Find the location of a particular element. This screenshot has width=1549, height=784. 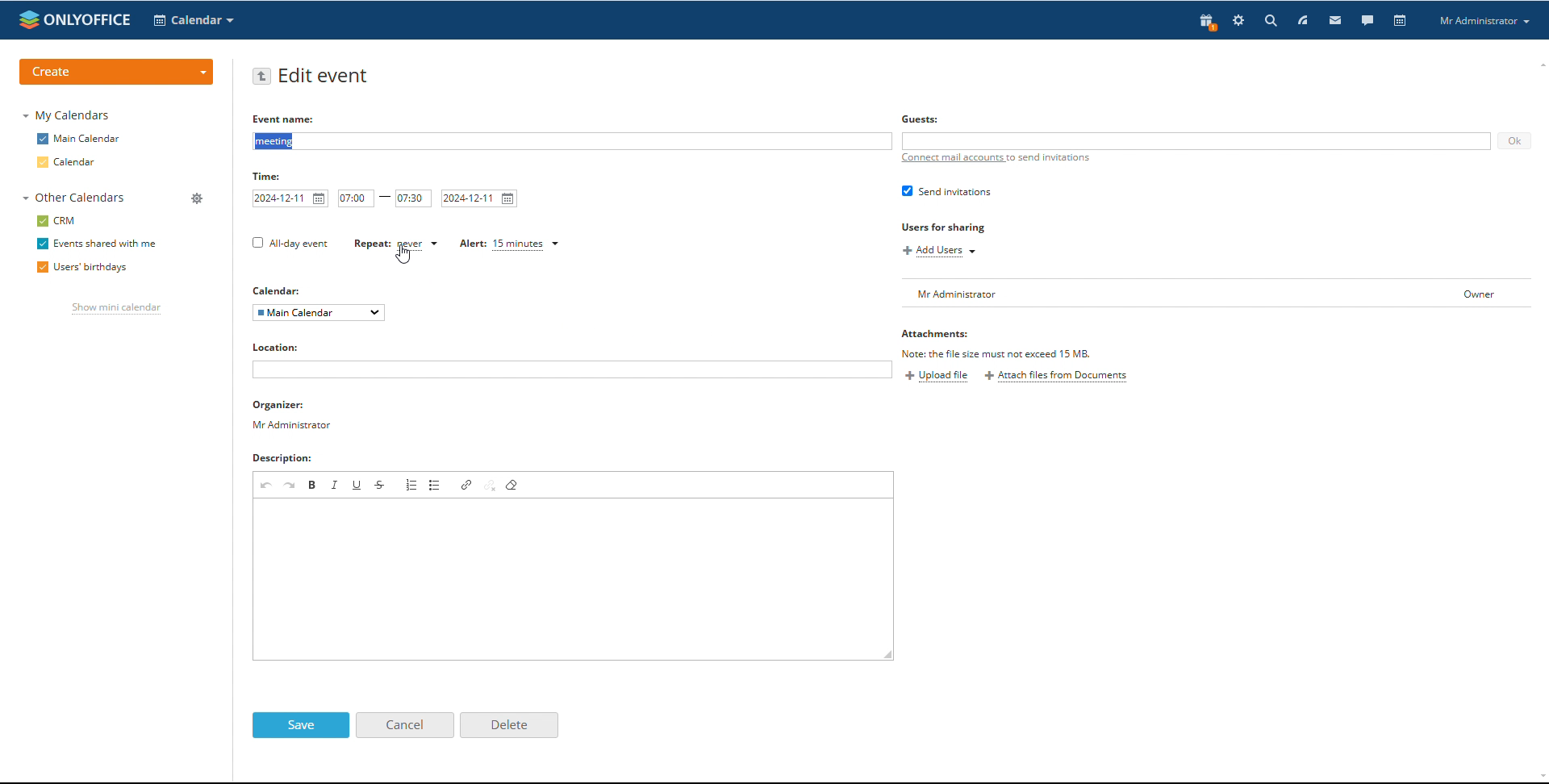

manage is located at coordinates (198, 199).